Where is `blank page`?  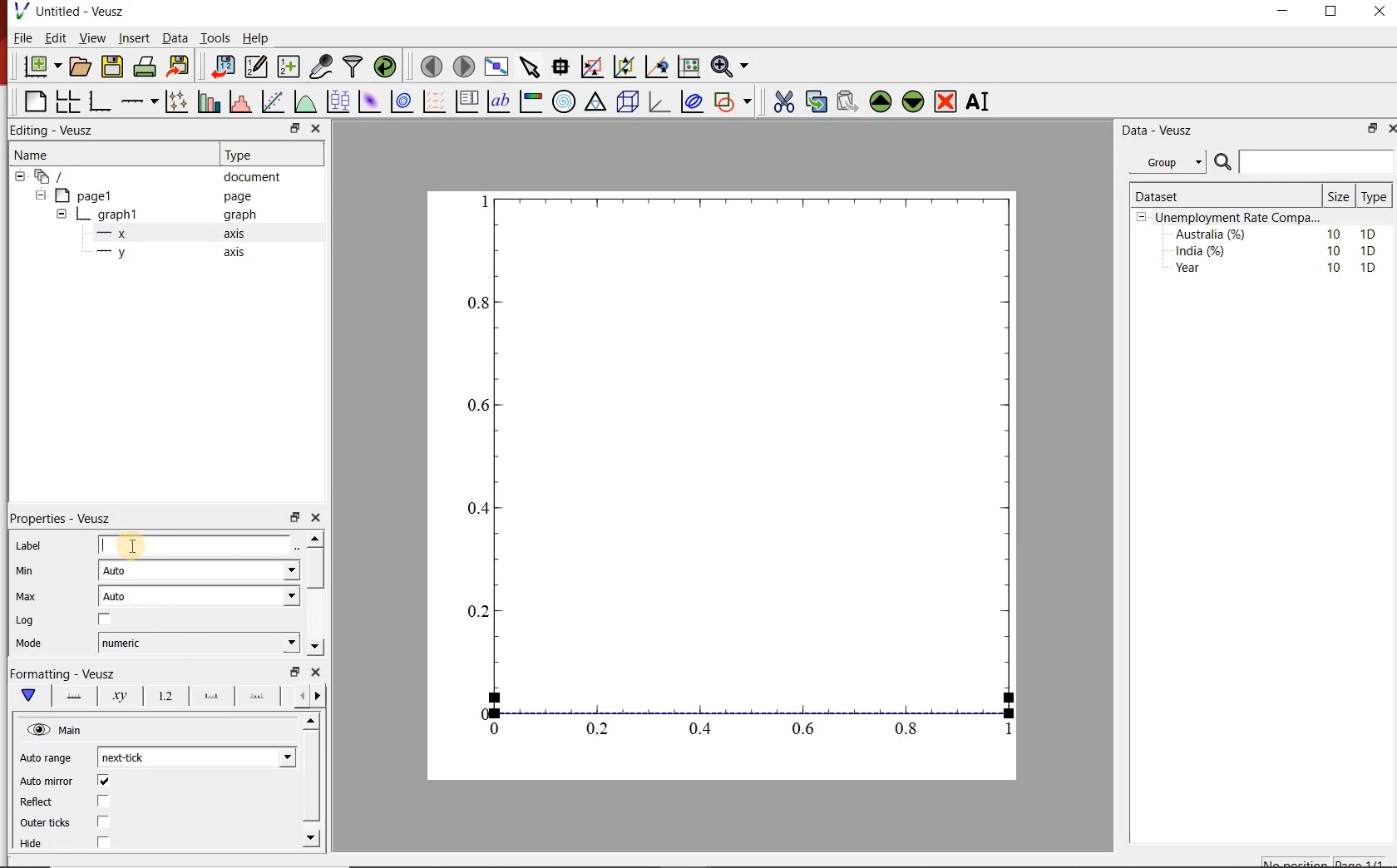 blank page is located at coordinates (34, 100).